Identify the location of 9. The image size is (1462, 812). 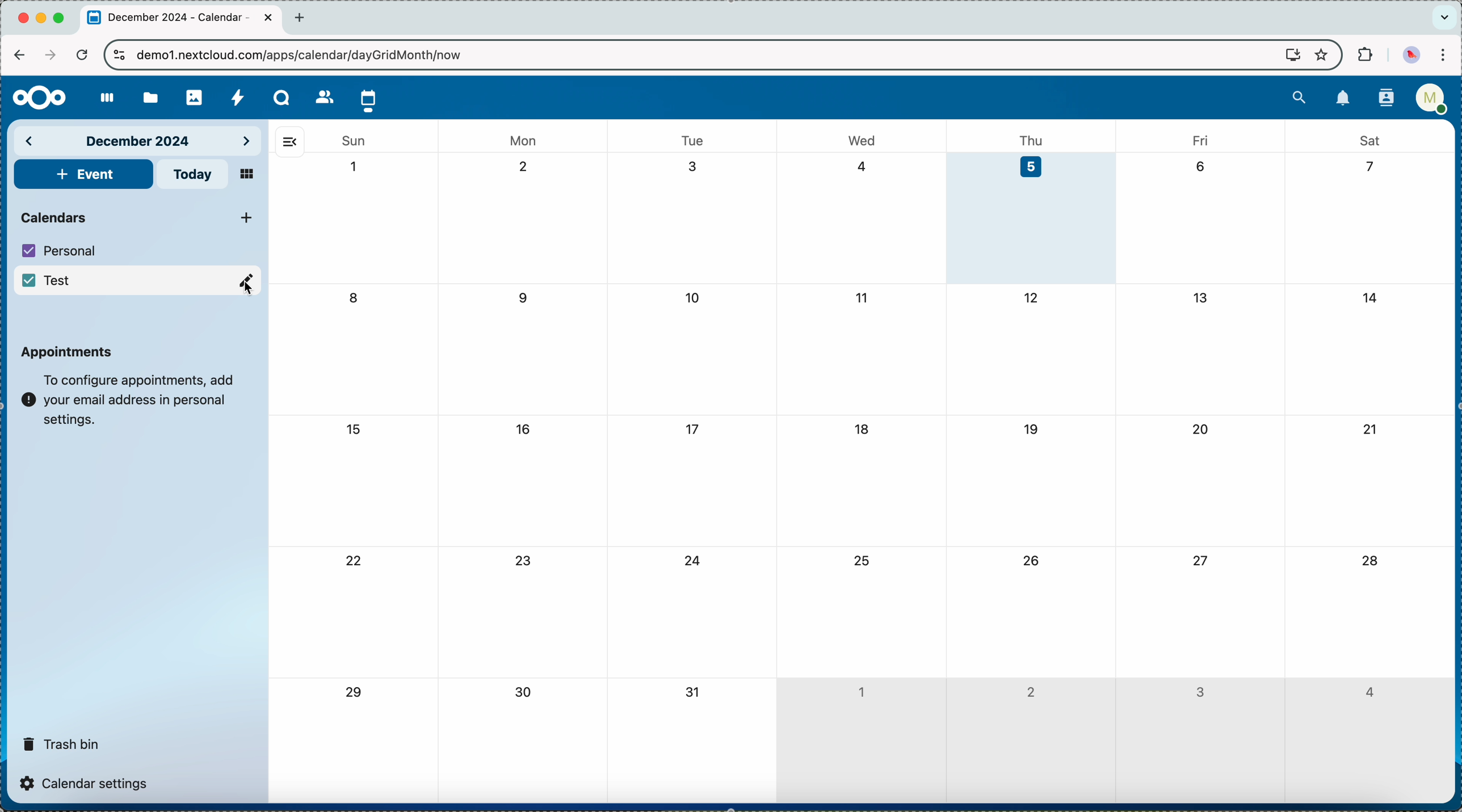
(526, 297).